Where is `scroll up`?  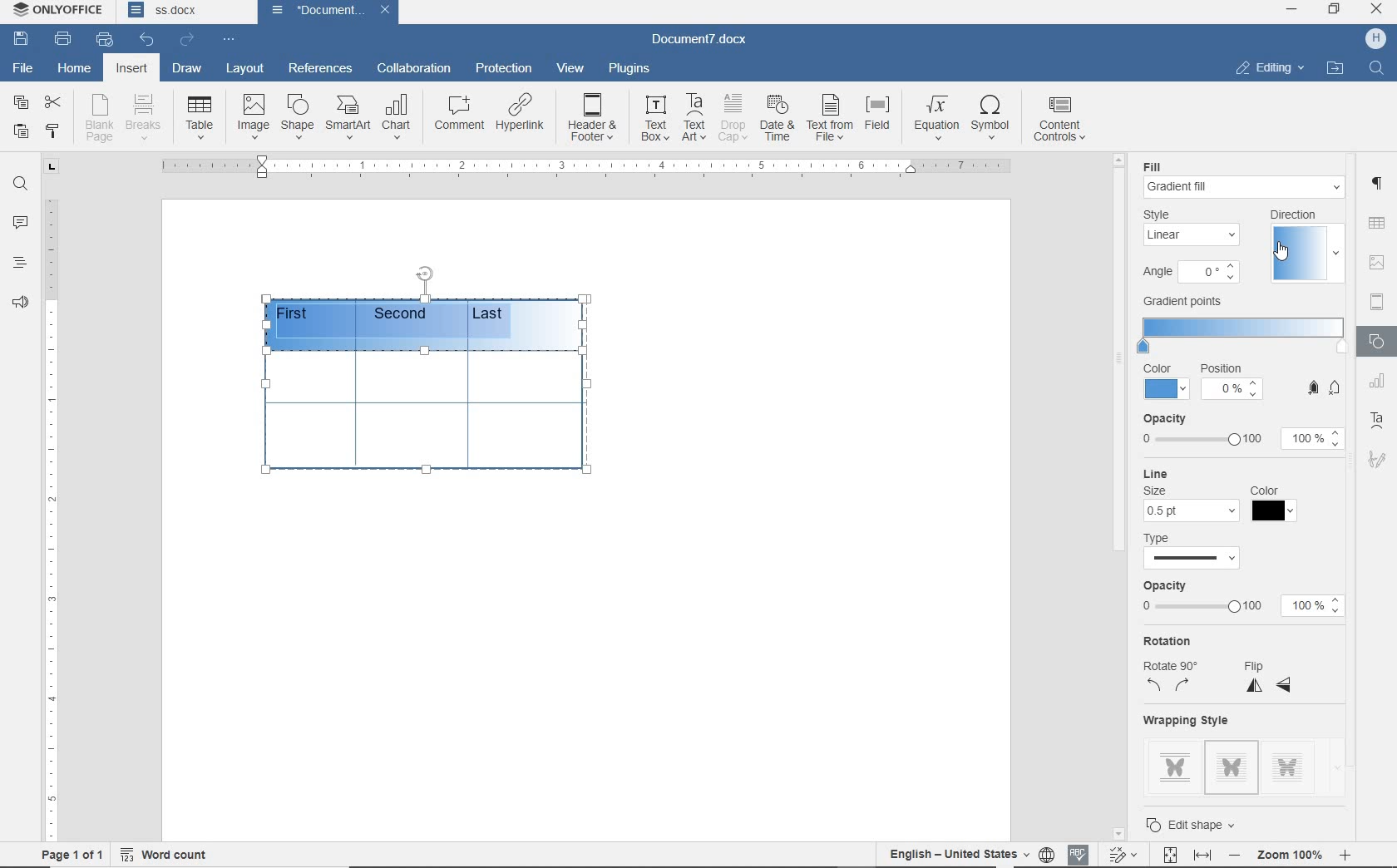
scroll up is located at coordinates (1117, 160).